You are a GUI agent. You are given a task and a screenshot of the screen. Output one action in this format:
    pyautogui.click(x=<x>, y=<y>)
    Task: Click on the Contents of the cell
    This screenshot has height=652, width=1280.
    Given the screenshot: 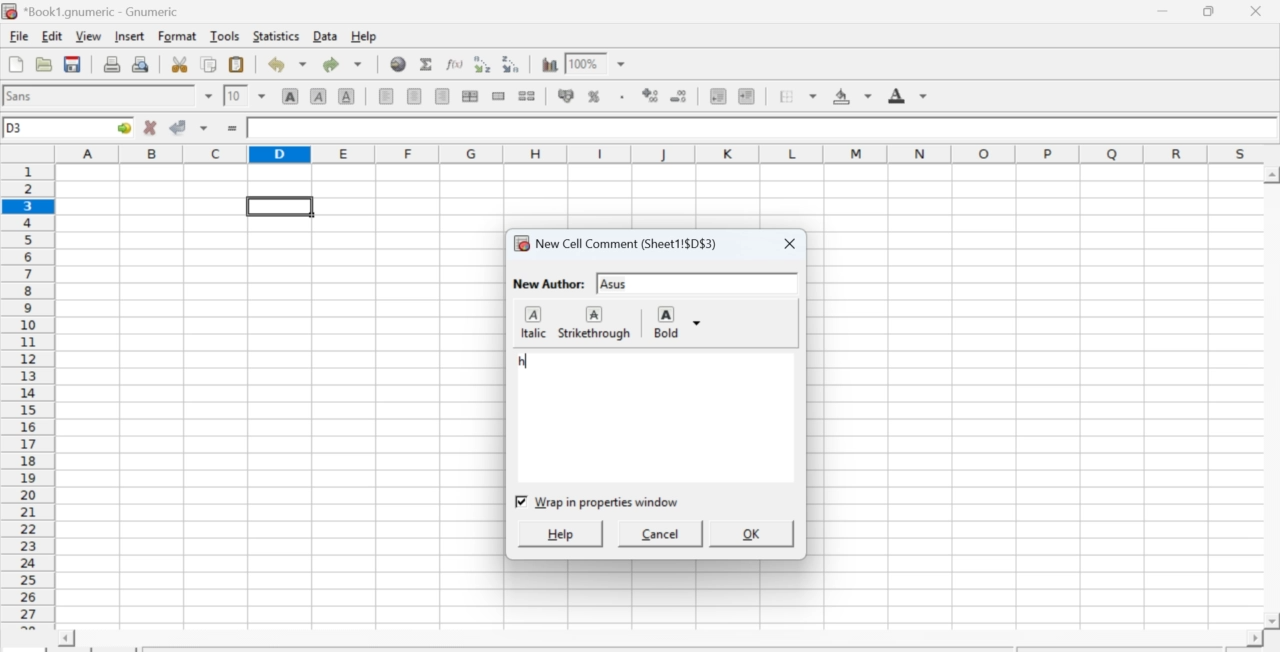 What is the action you would take?
    pyautogui.click(x=754, y=128)
    